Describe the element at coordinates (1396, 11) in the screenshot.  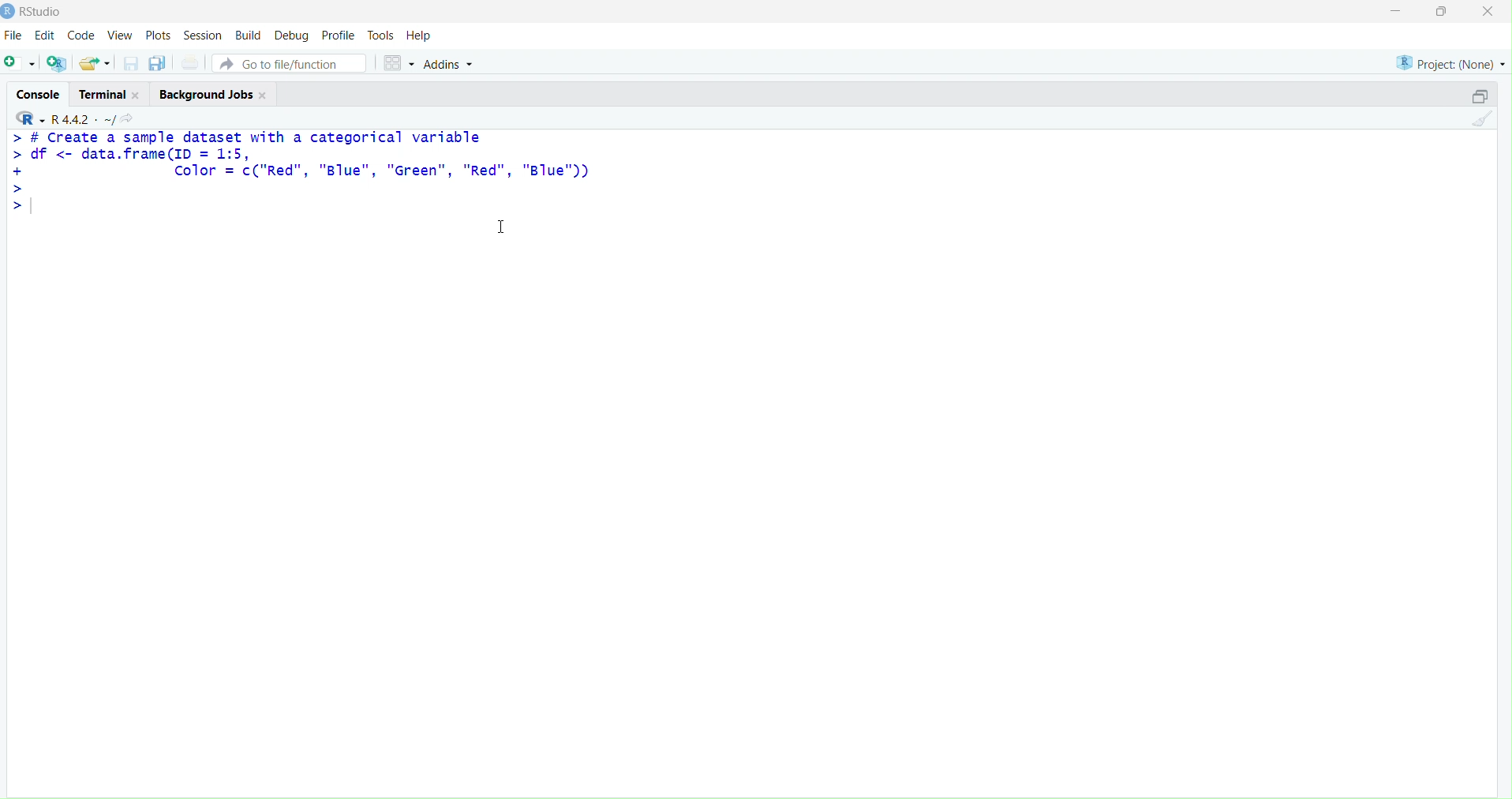
I see `minimise` at that location.